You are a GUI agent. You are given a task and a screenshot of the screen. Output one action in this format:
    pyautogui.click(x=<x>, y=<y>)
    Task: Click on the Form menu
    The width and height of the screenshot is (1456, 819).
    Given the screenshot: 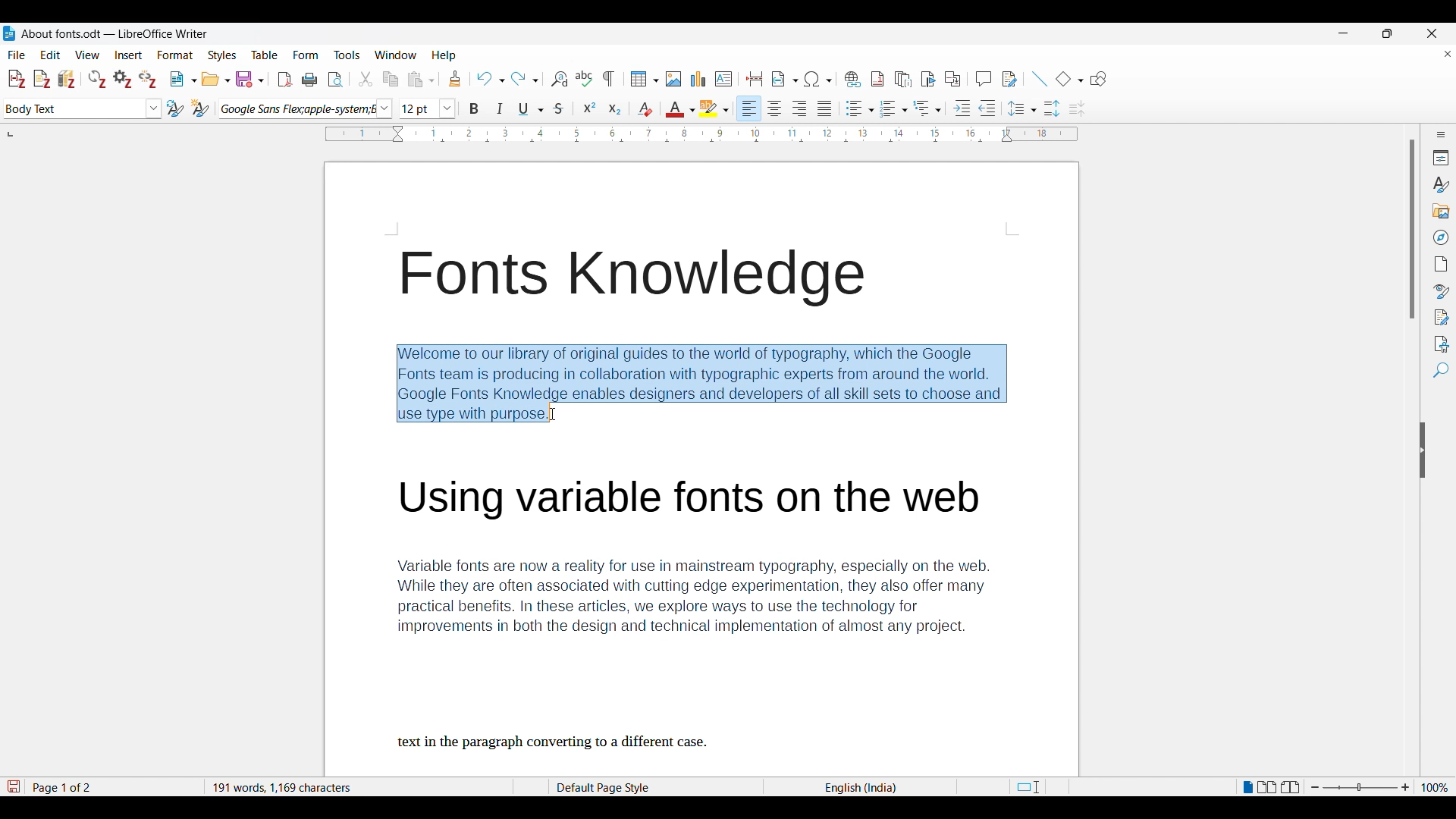 What is the action you would take?
    pyautogui.click(x=306, y=55)
    